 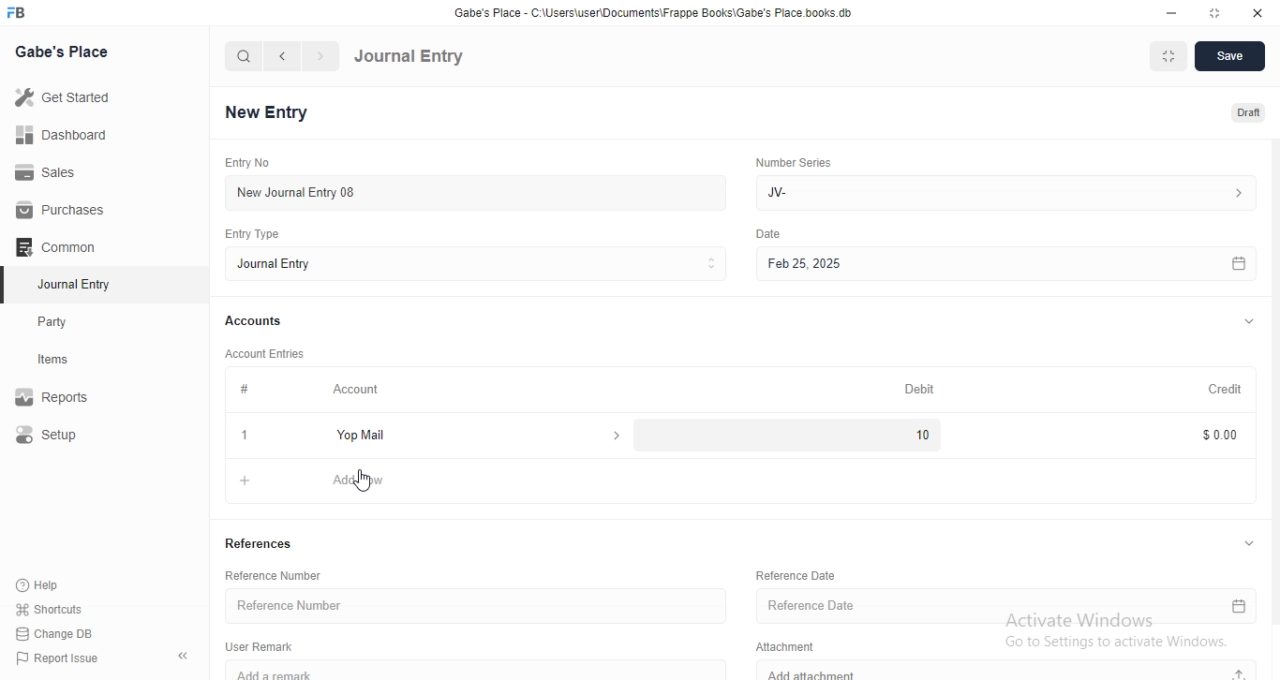 What do you see at coordinates (367, 480) in the screenshot?
I see `cursor` at bounding box center [367, 480].